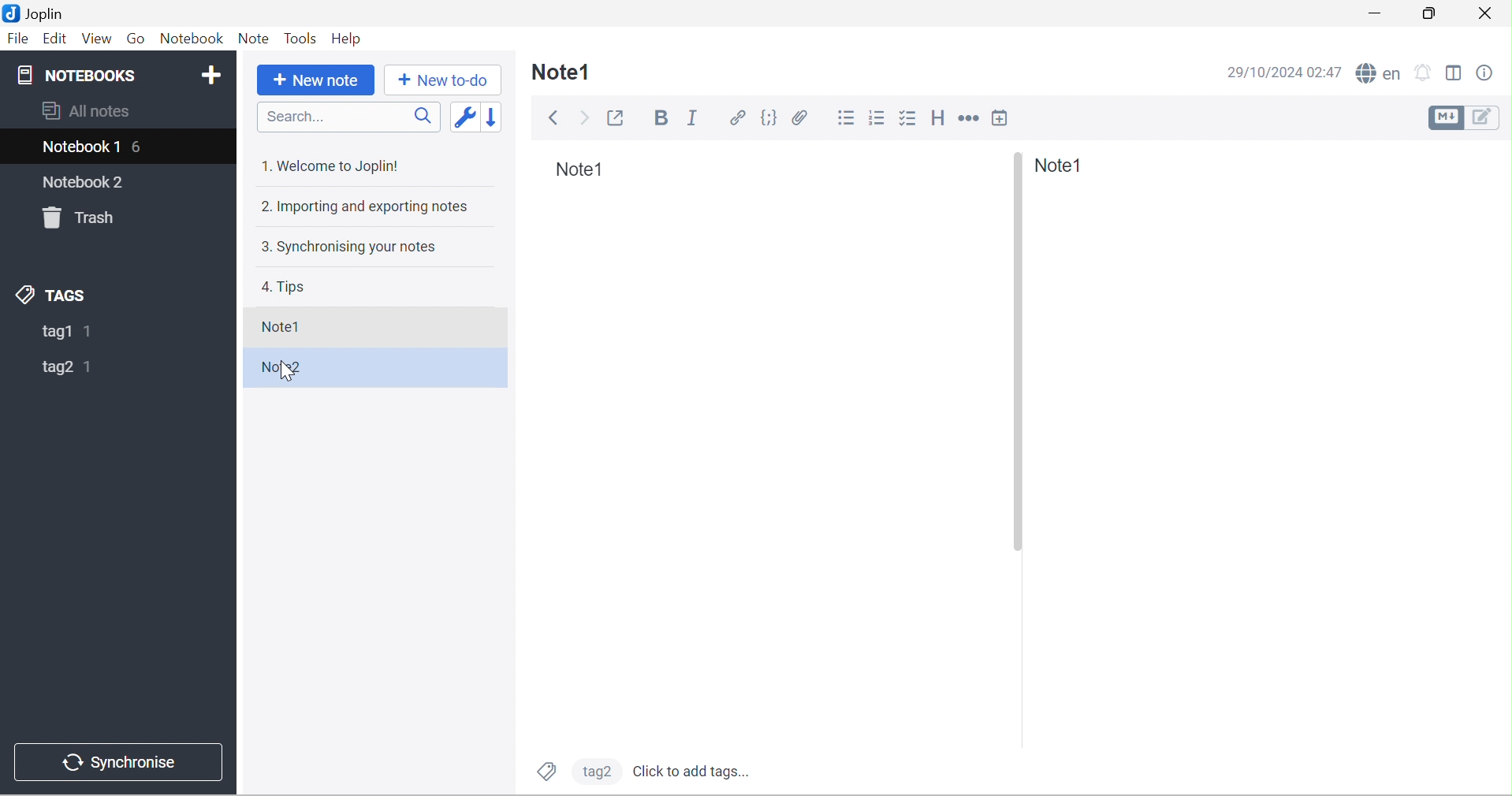  What do you see at coordinates (598, 774) in the screenshot?
I see `tag2` at bounding box center [598, 774].